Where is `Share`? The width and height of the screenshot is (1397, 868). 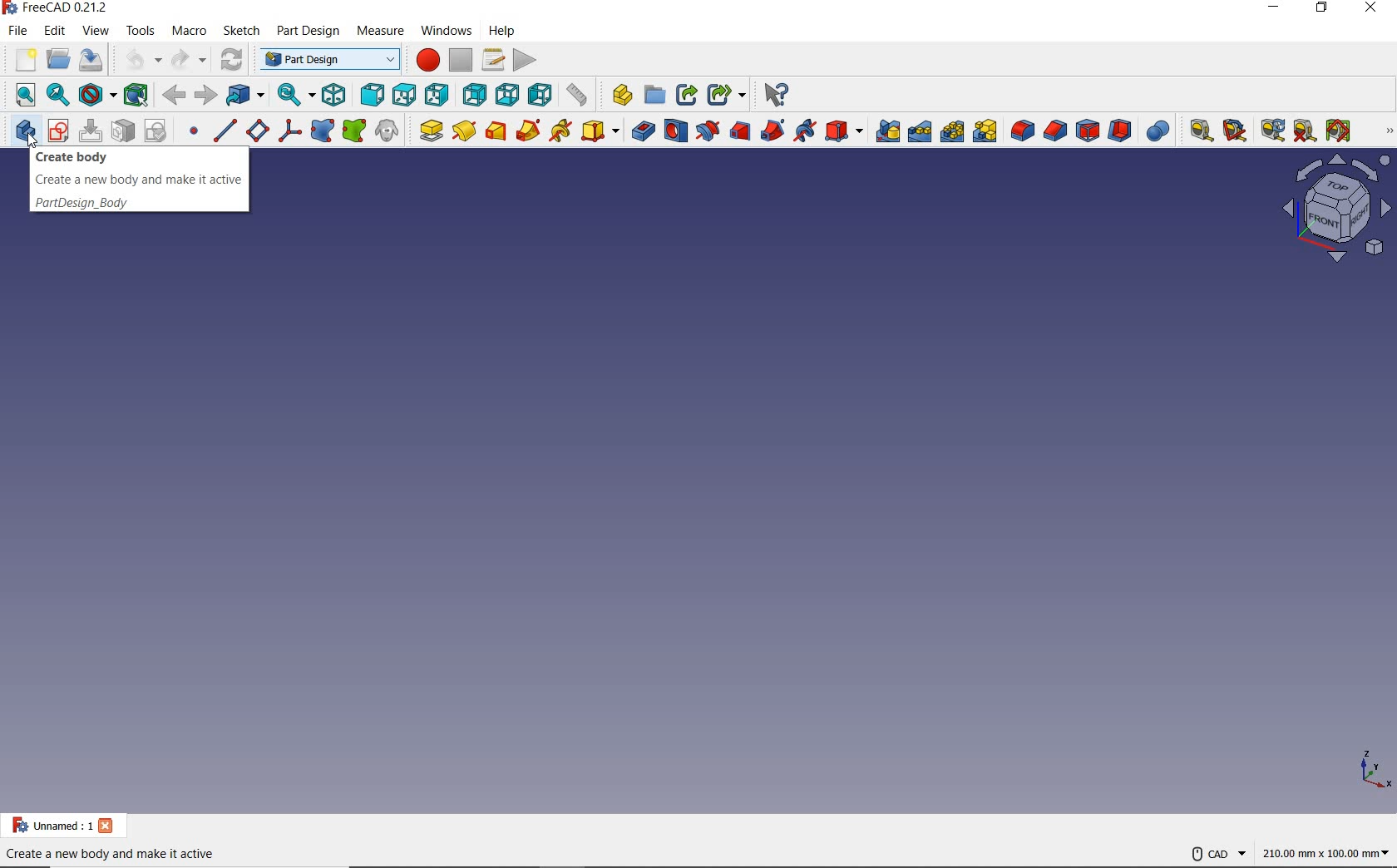
Share is located at coordinates (686, 96).